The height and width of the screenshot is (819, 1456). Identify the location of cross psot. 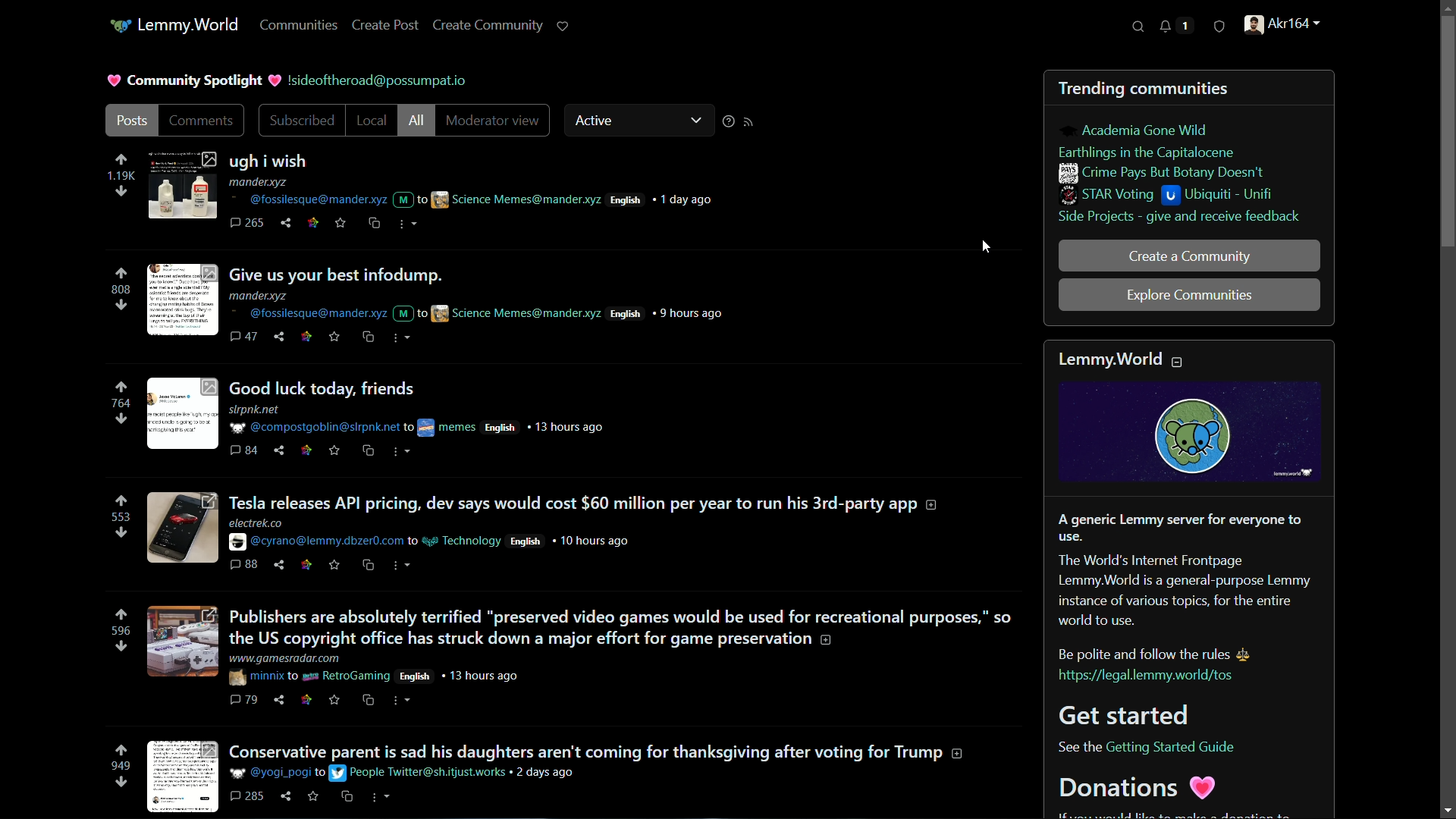
(371, 701).